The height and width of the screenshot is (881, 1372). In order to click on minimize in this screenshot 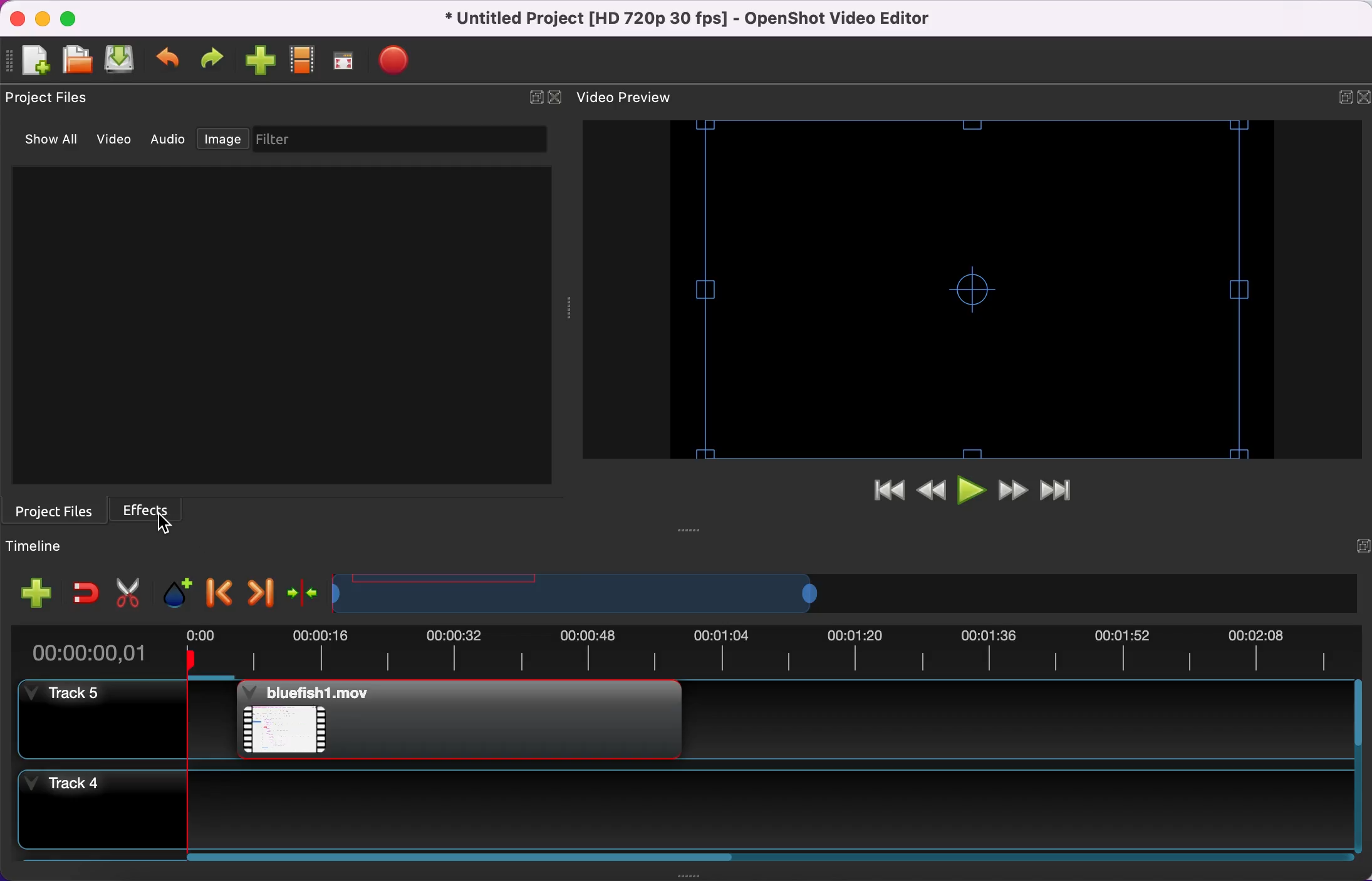, I will do `click(40, 18)`.